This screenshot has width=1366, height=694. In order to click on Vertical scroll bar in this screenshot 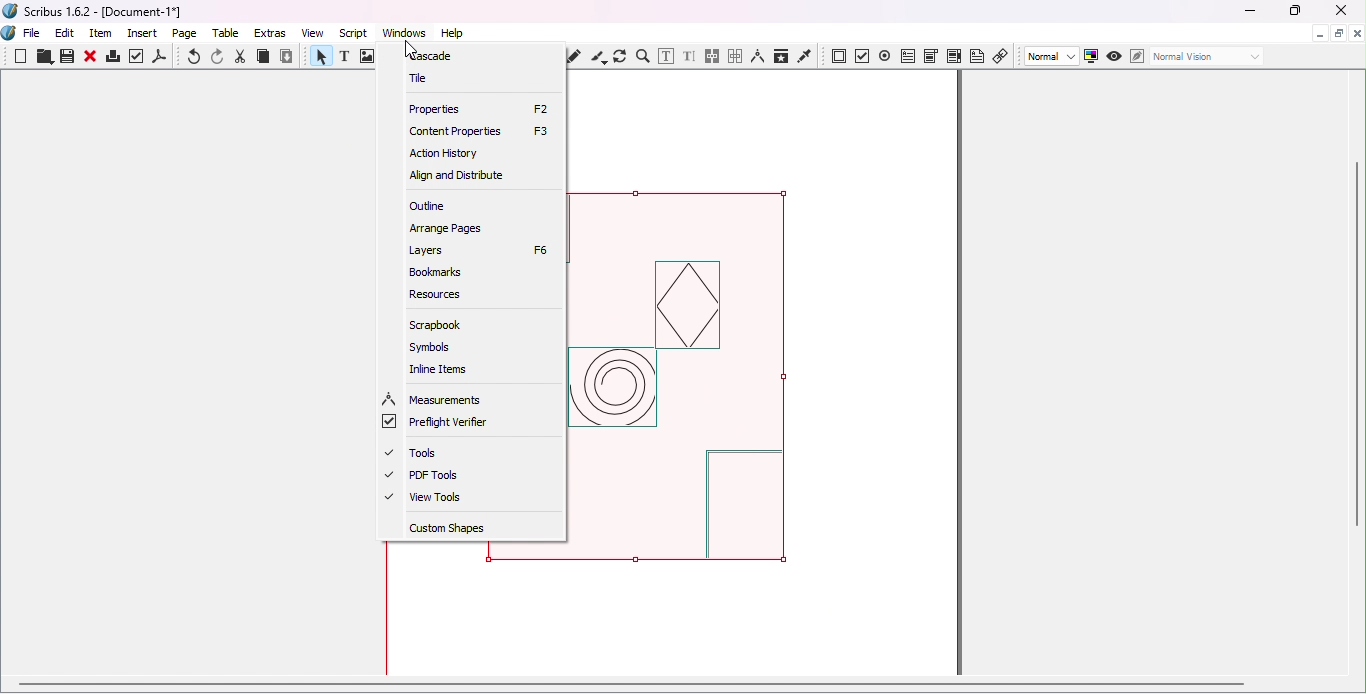, I will do `click(1358, 375)`.